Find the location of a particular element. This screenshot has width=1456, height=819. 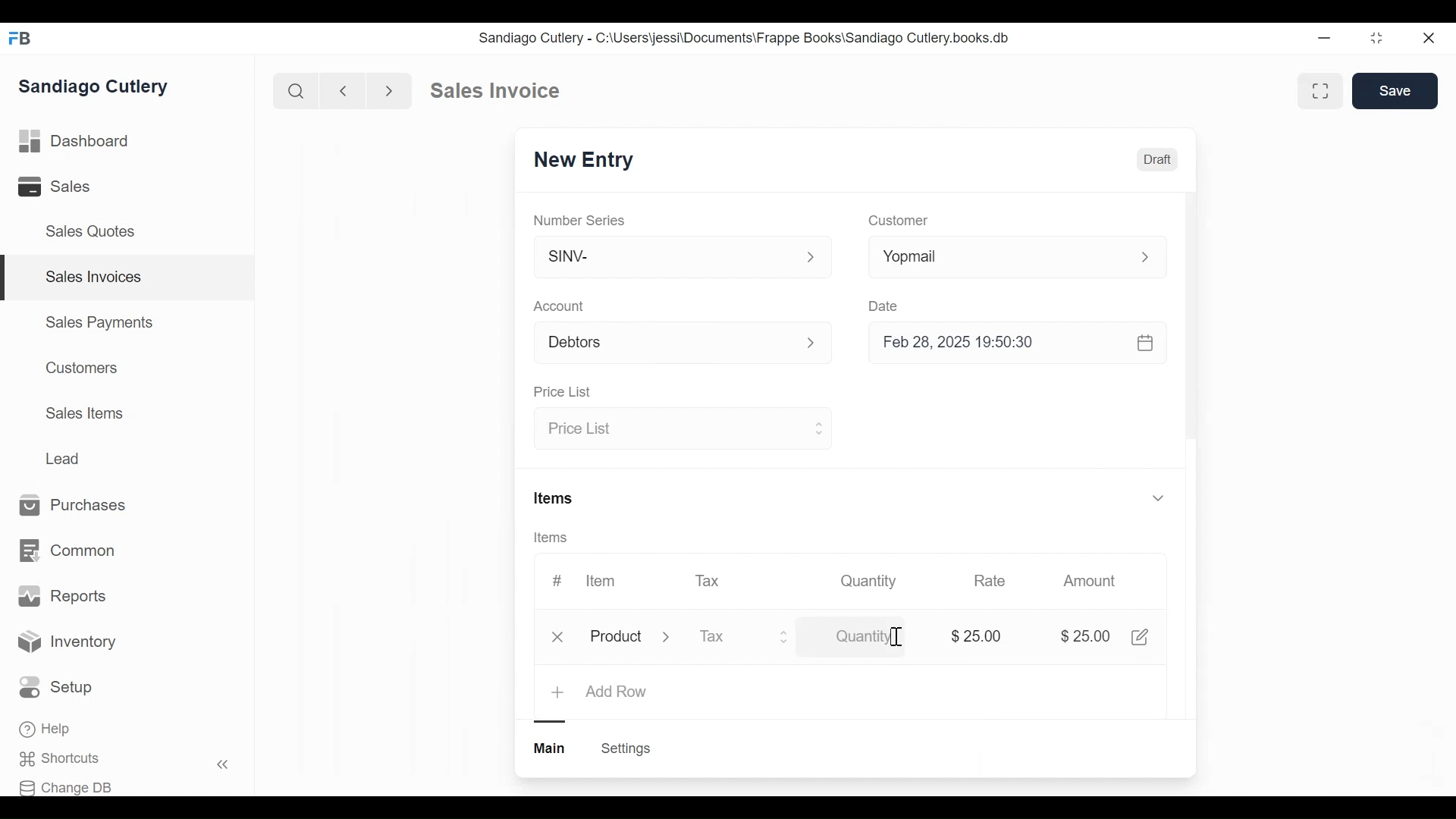

Dashboard is located at coordinates (75, 140).